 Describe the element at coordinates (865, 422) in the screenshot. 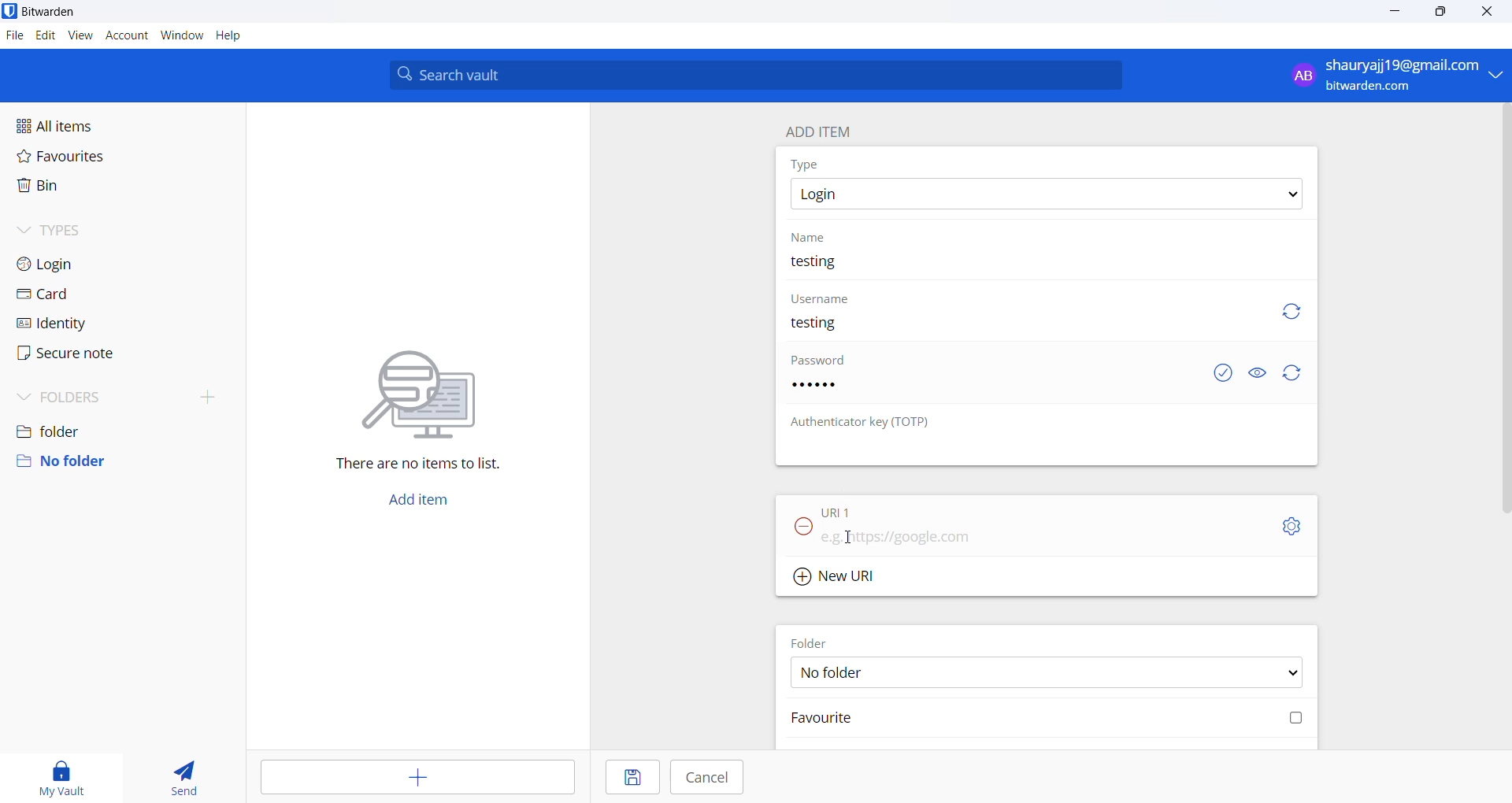

I see `OTP heading: Authenticator key (TOTP)` at that location.